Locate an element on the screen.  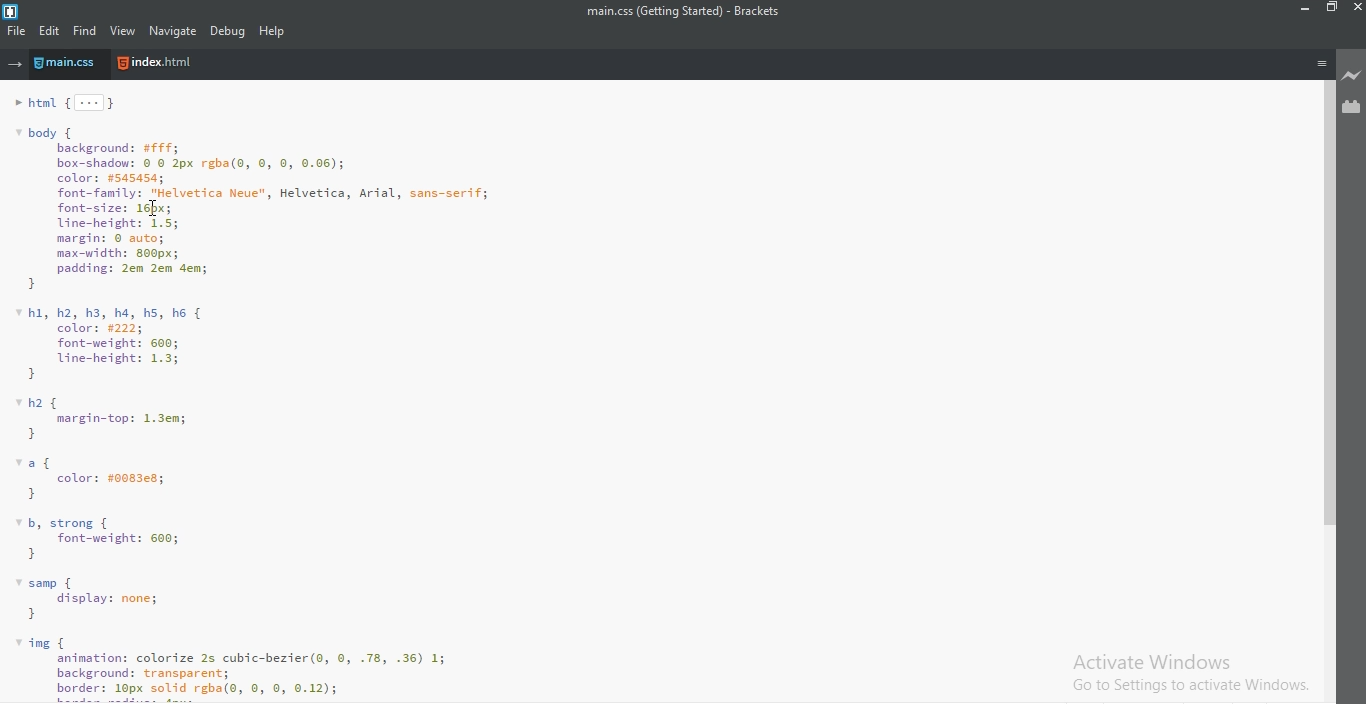
find is located at coordinates (86, 31).